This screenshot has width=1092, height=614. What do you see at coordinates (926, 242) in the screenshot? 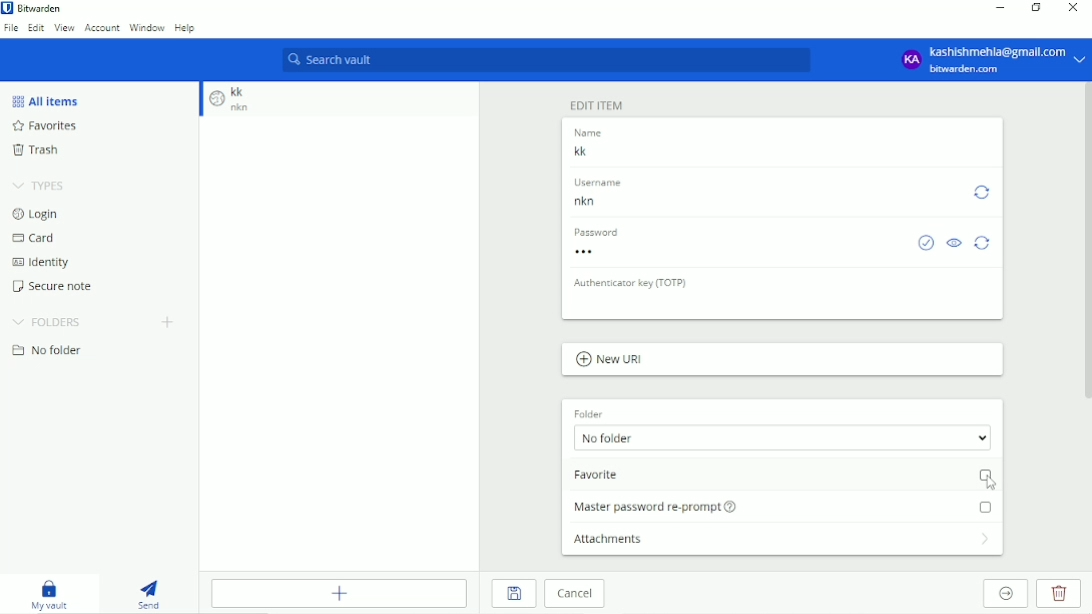
I see `Check if password has been exposed` at bounding box center [926, 242].